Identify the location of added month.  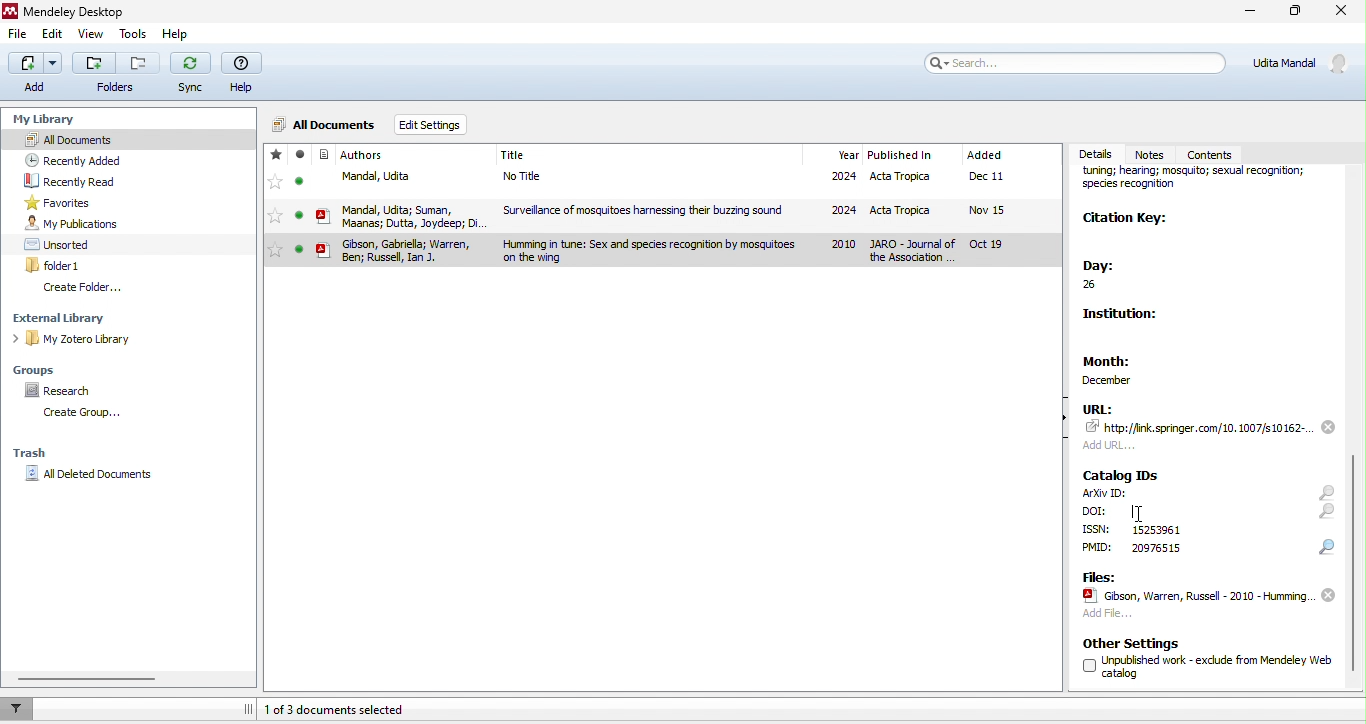
(984, 155).